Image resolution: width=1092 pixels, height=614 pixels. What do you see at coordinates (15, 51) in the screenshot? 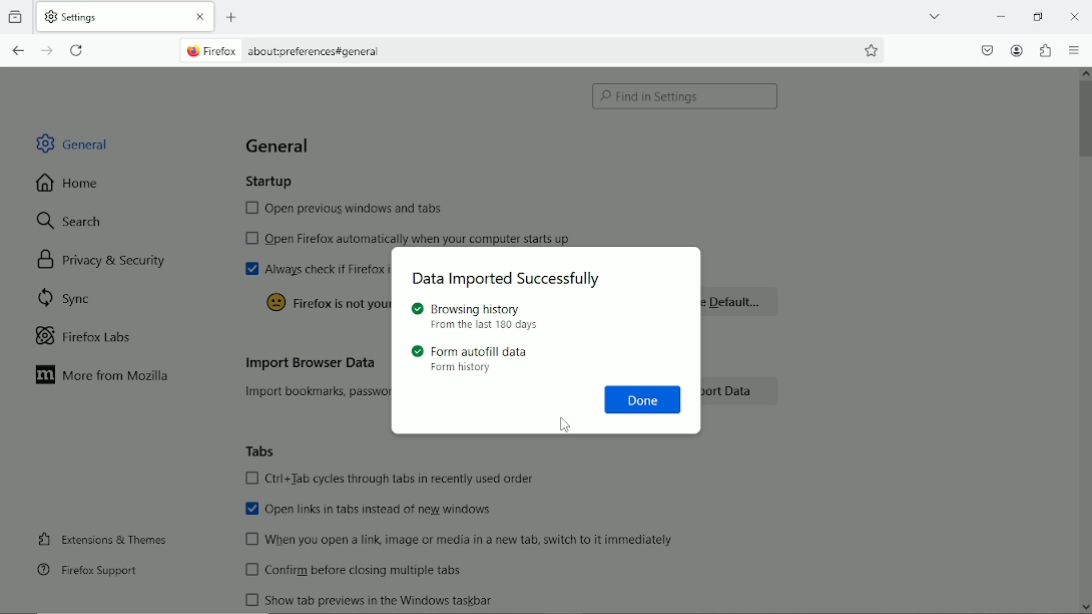
I see `Go back` at bounding box center [15, 51].